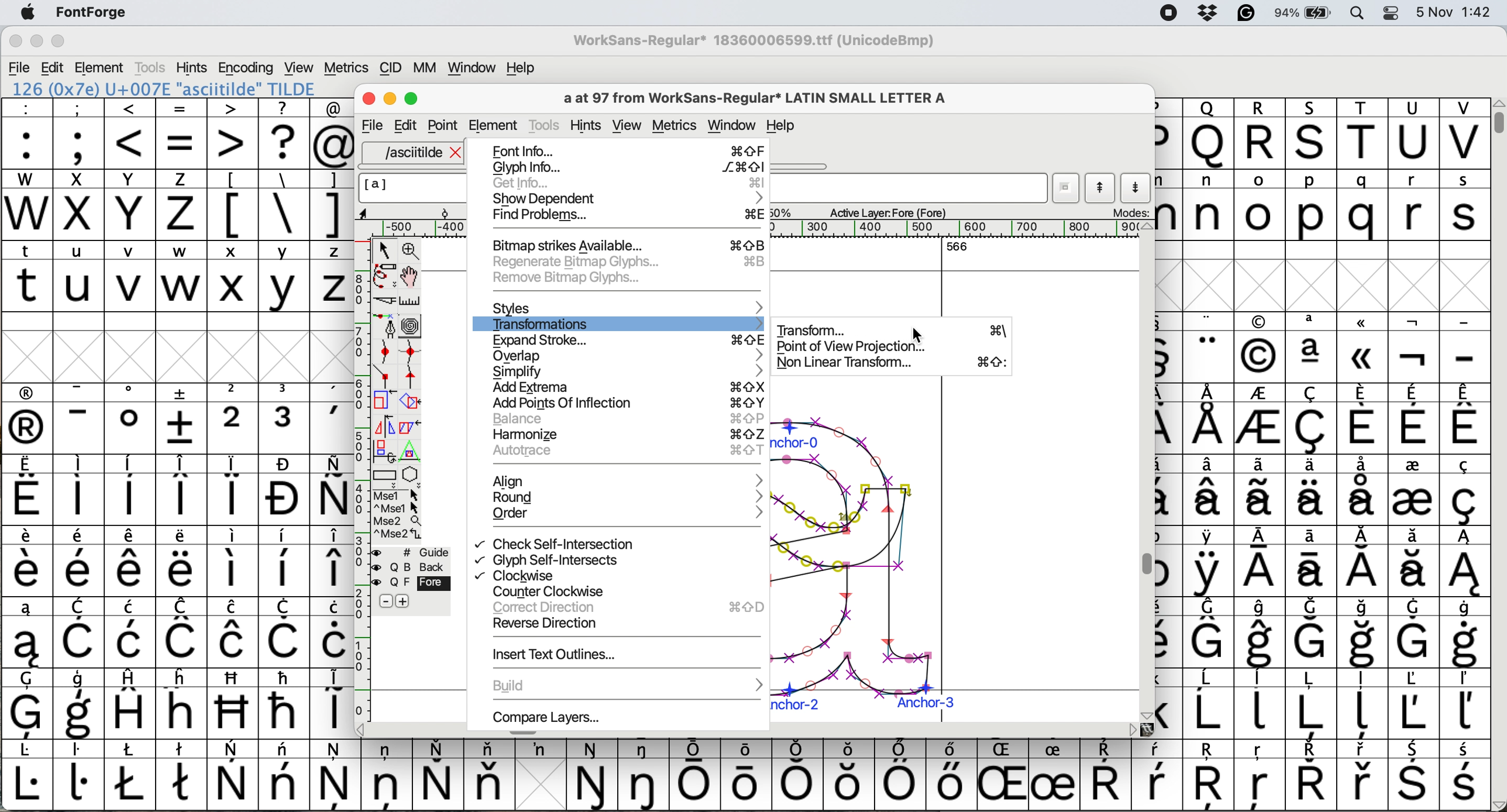 Image resolution: width=1507 pixels, height=812 pixels. What do you see at coordinates (133, 703) in the screenshot?
I see `symbol` at bounding box center [133, 703].